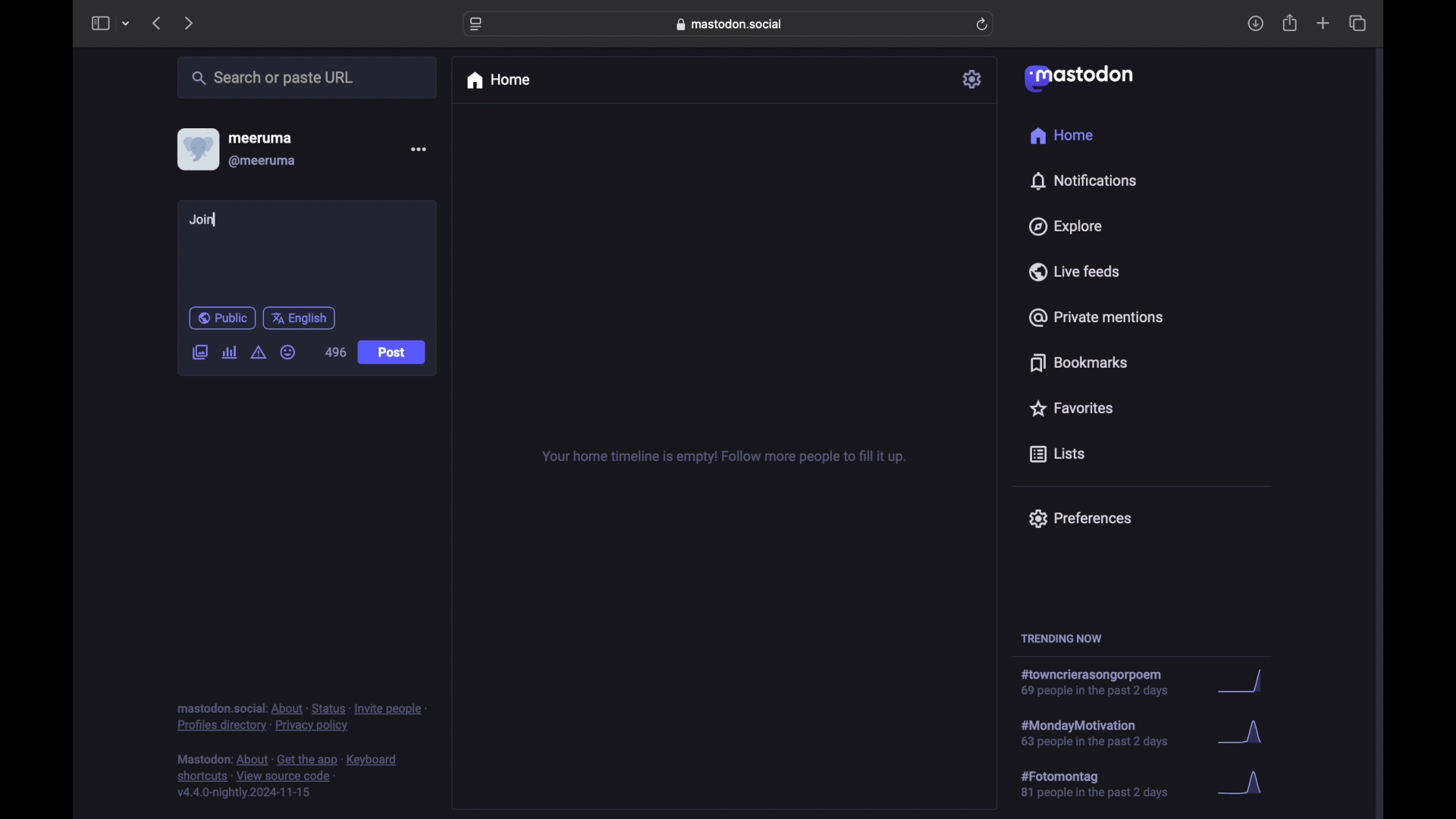  I want to click on hashtag trend, so click(1103, 683).